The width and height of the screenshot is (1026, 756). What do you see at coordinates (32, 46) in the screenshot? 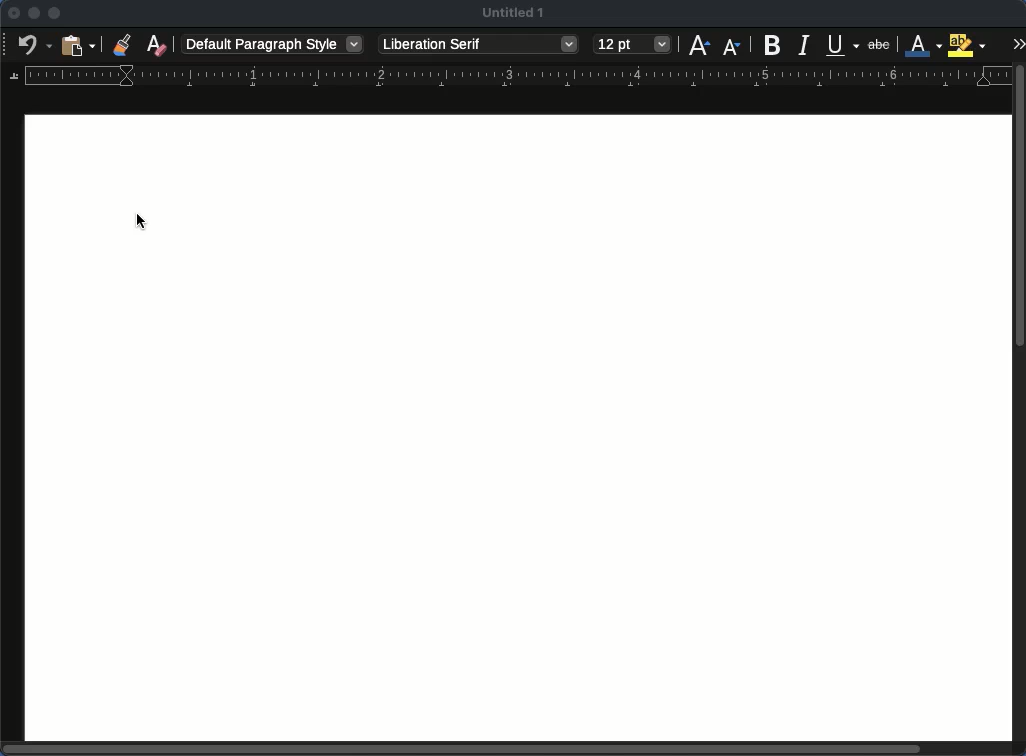
I see `undo` at bounding box center [32, 46].